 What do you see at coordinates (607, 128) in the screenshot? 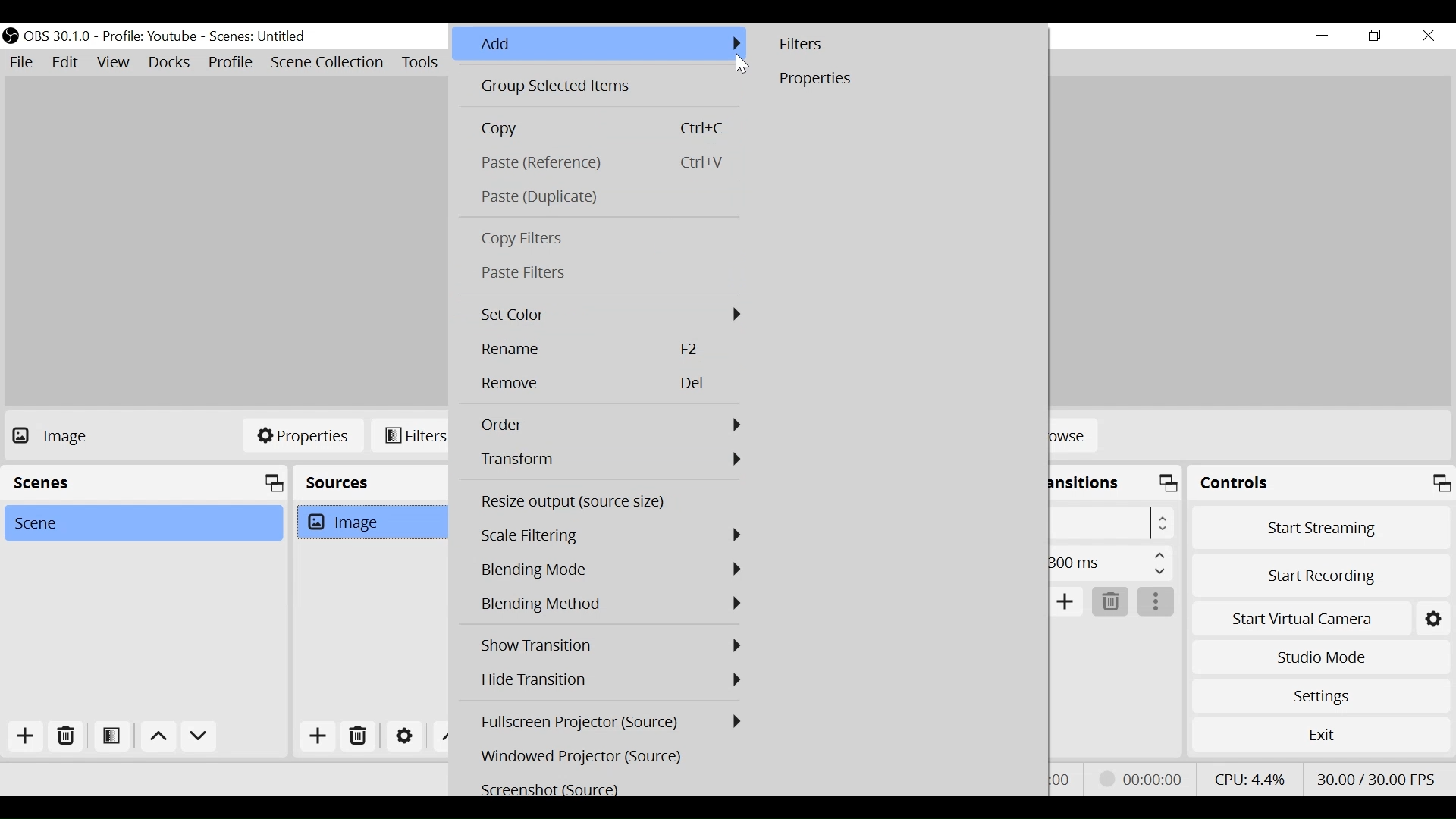
I see `Copy` at bounding box center [607, 128].